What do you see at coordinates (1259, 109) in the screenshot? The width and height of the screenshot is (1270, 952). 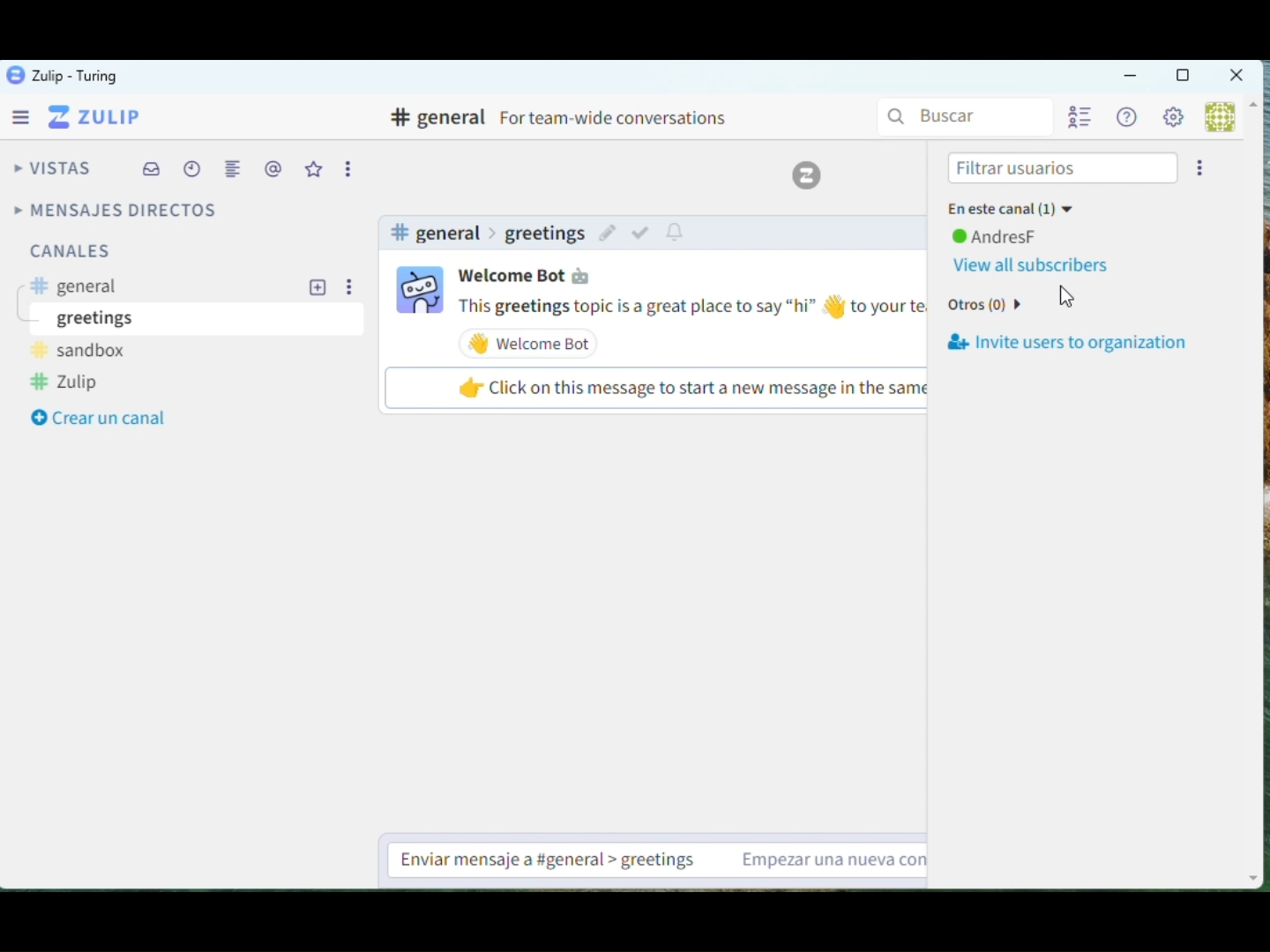 I see `Up` at bounding box center [1259, 109].